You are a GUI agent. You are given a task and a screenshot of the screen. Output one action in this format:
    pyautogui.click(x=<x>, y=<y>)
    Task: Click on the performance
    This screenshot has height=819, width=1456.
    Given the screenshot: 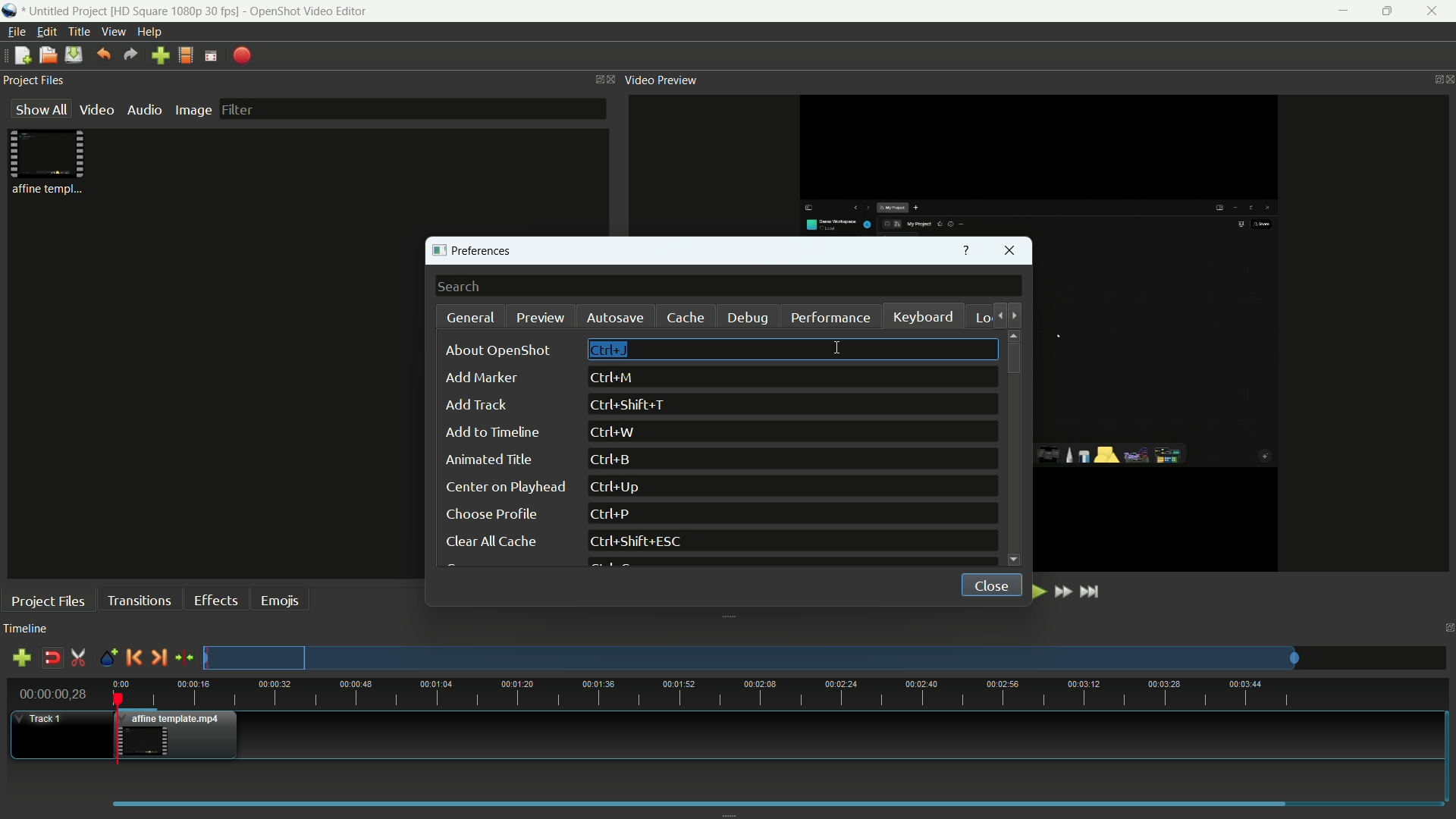 What is the action you would take?
    pyautogui.click(x=830, y=317)
    